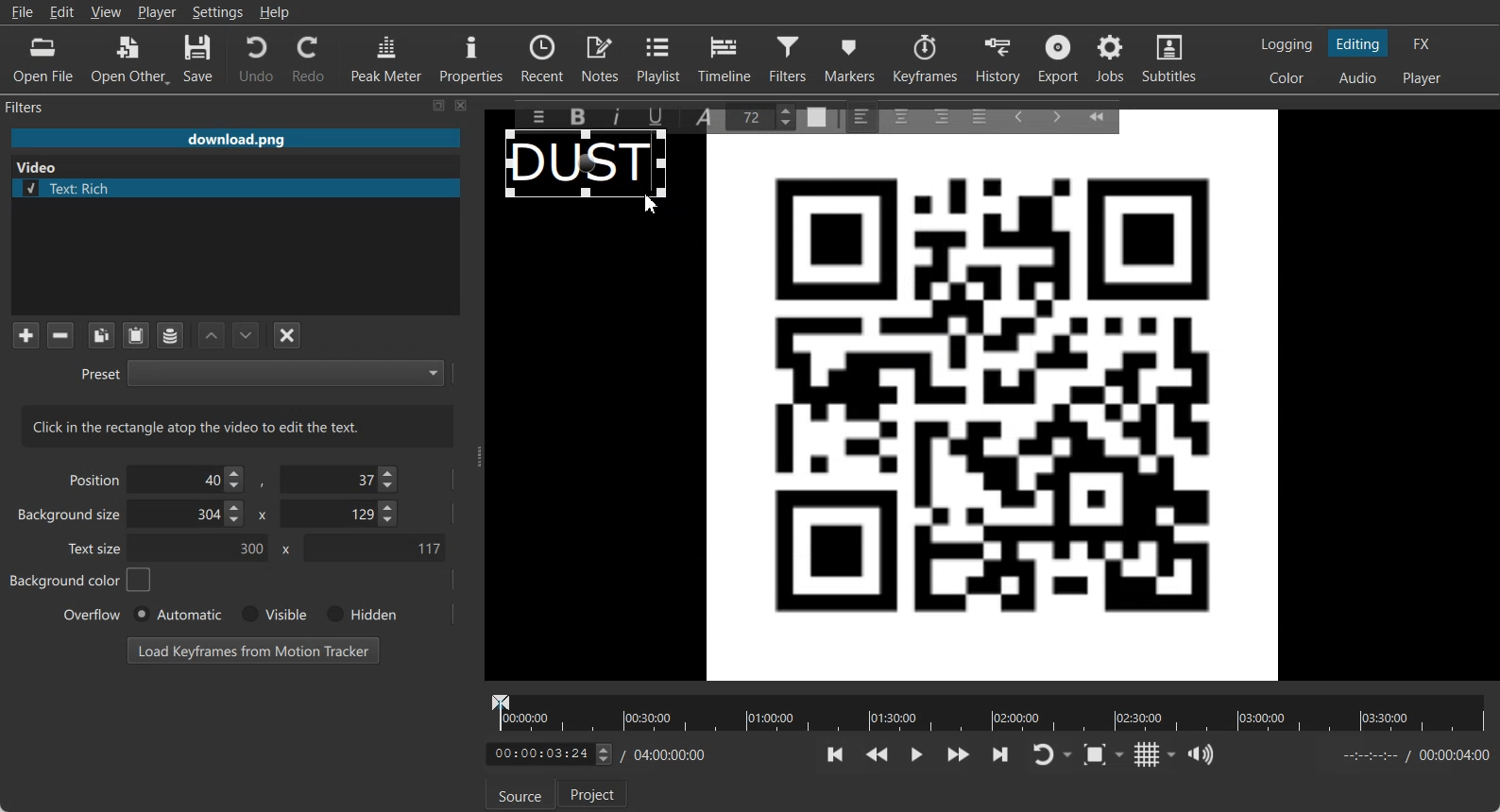 This screenshot has height=812, width=1500. I want to click on Project, so click(594, 793).